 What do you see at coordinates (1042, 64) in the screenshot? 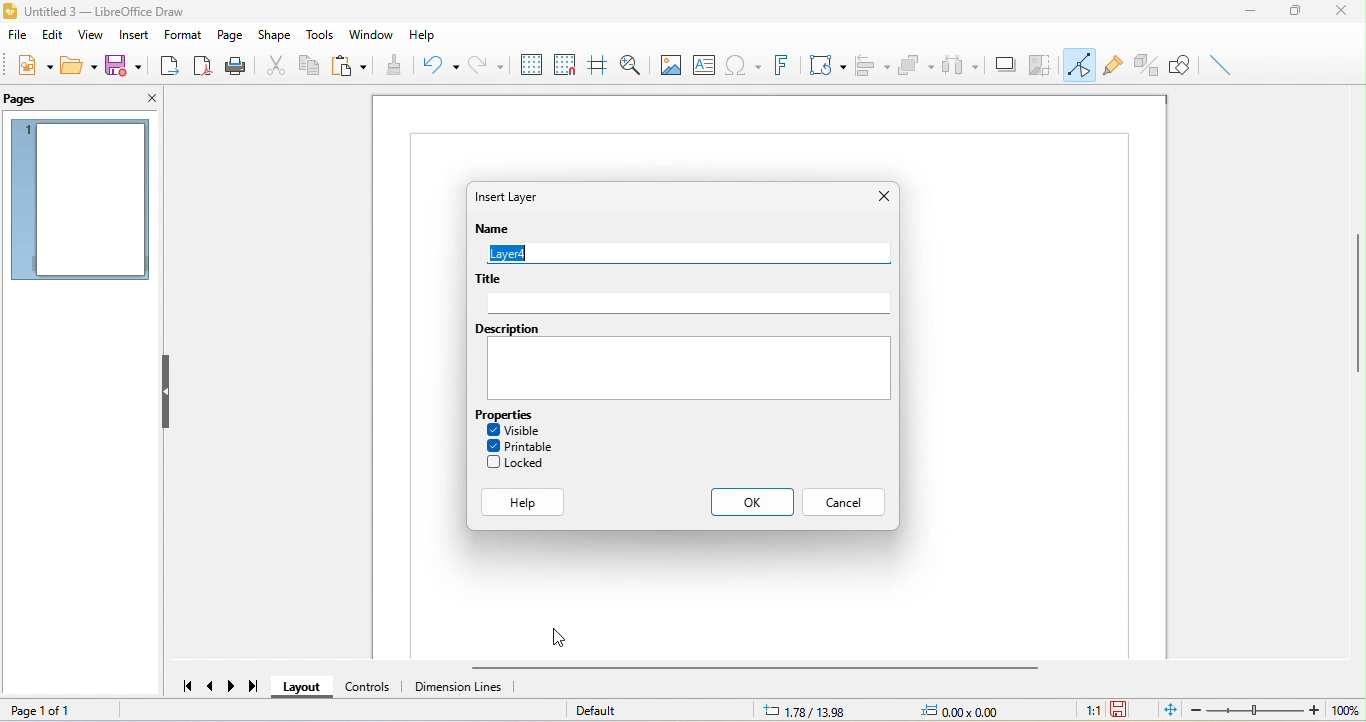
I see `crop image` at bounding box center [1042, 64].